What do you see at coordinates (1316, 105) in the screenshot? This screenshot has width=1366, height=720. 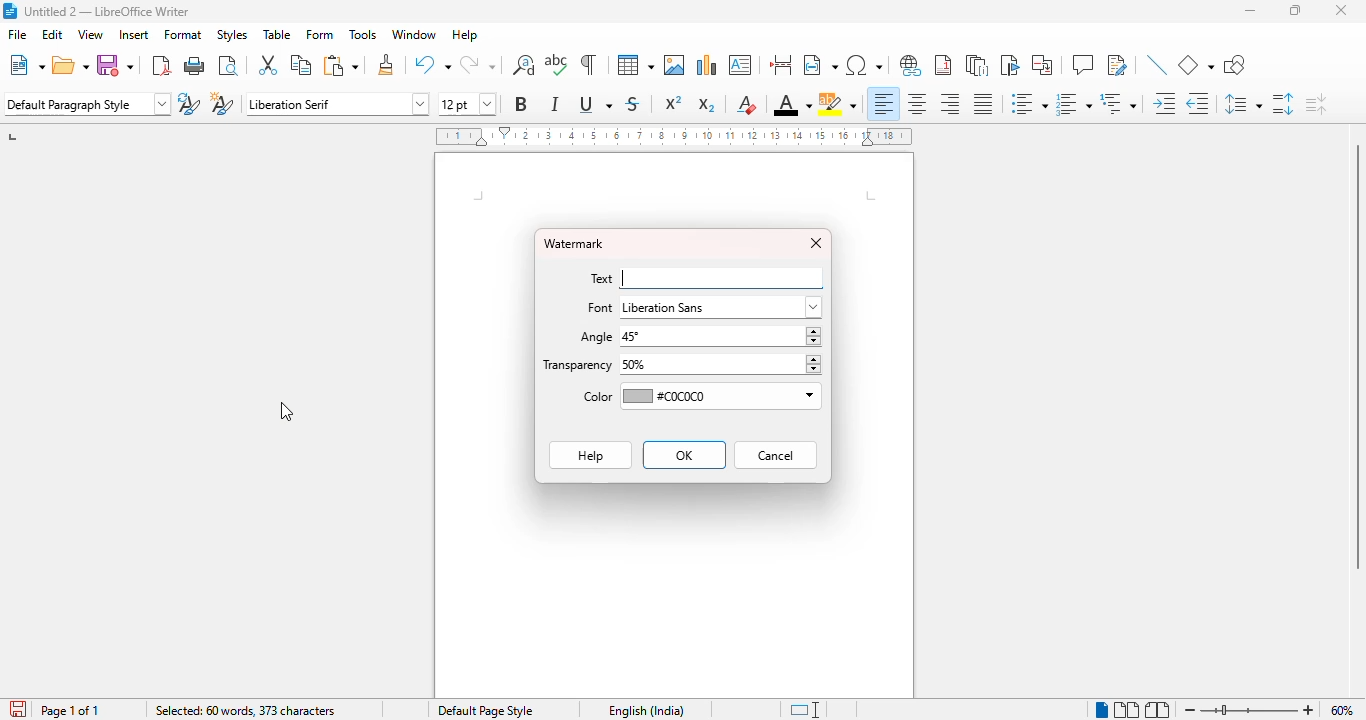 I see `decrease paragraph spacing` at bounding box center [1316, 105].